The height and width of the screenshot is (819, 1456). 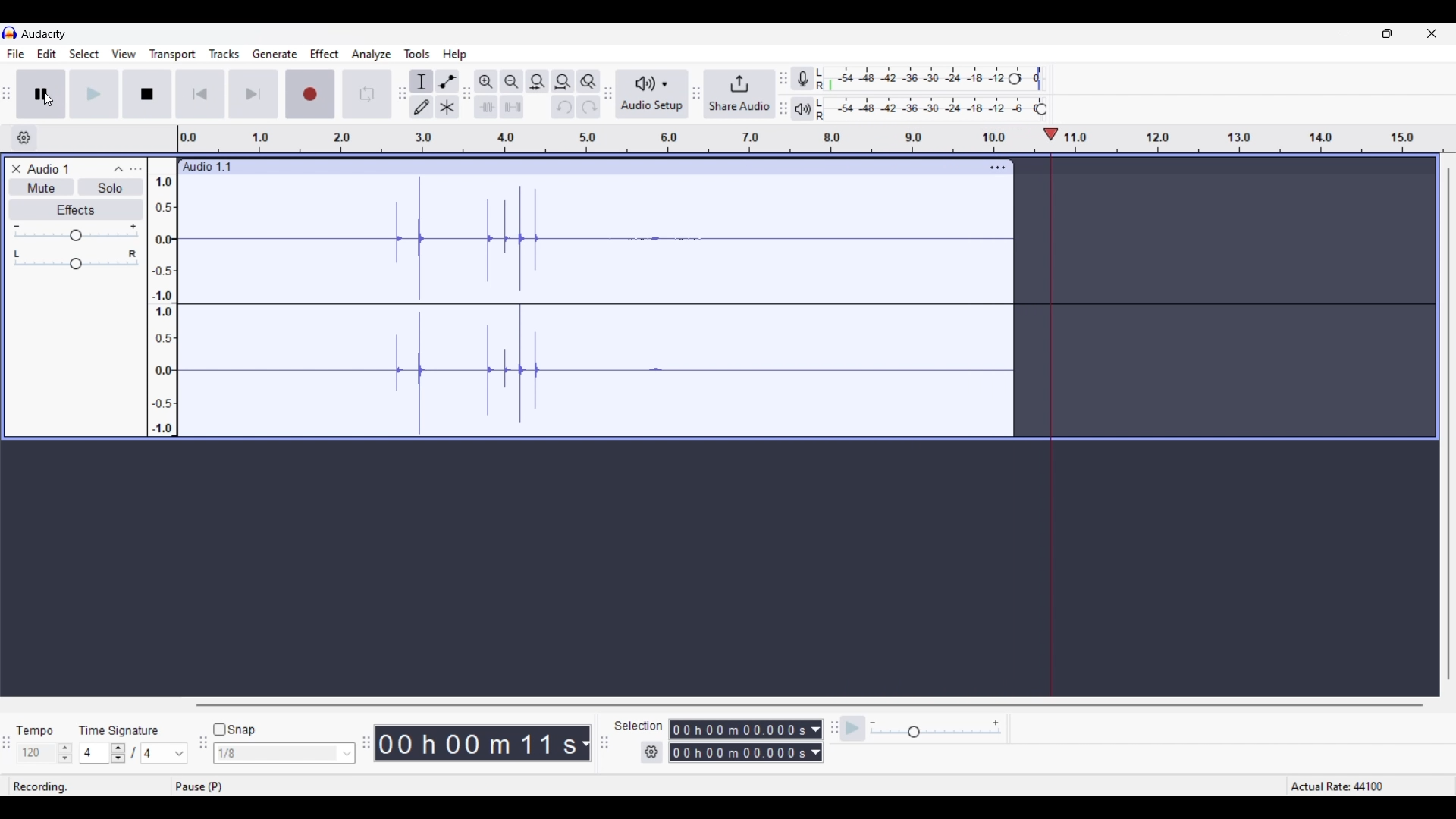 What do you see at coordinates (936, 107) in the screenshot?
I see `Playback level` at bounding box center [936, 107].